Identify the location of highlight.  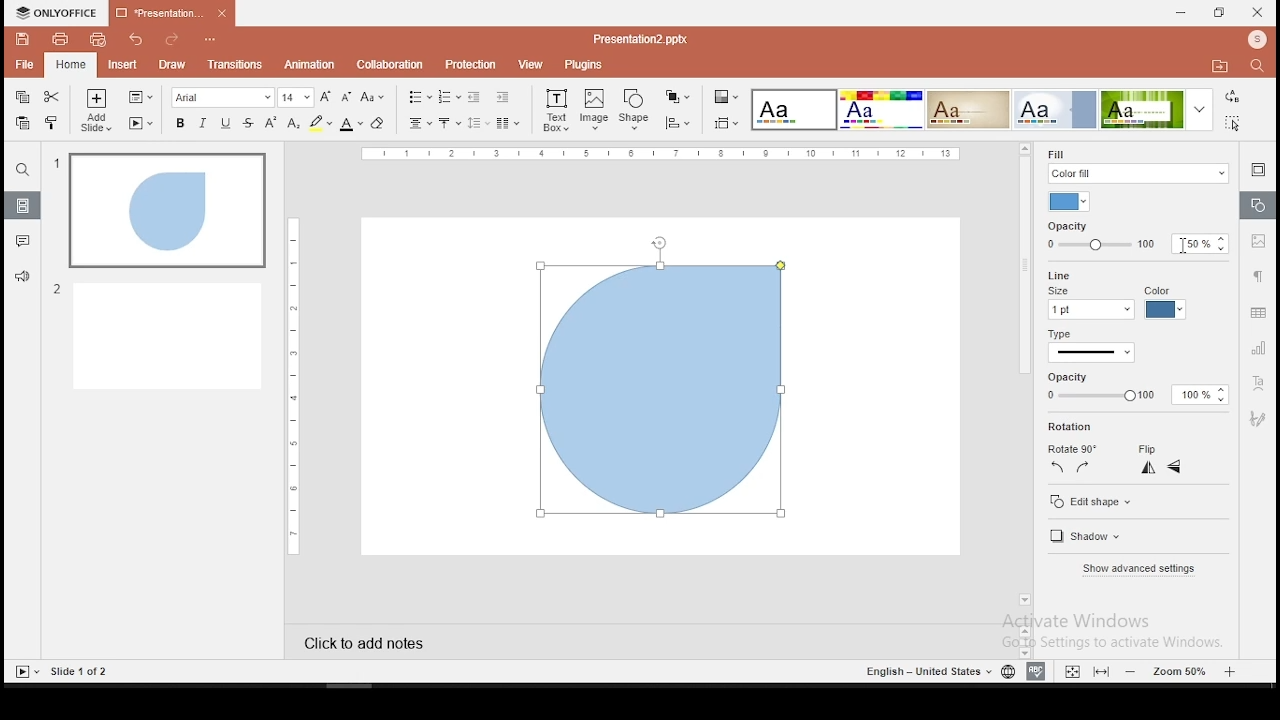
(320, 124).